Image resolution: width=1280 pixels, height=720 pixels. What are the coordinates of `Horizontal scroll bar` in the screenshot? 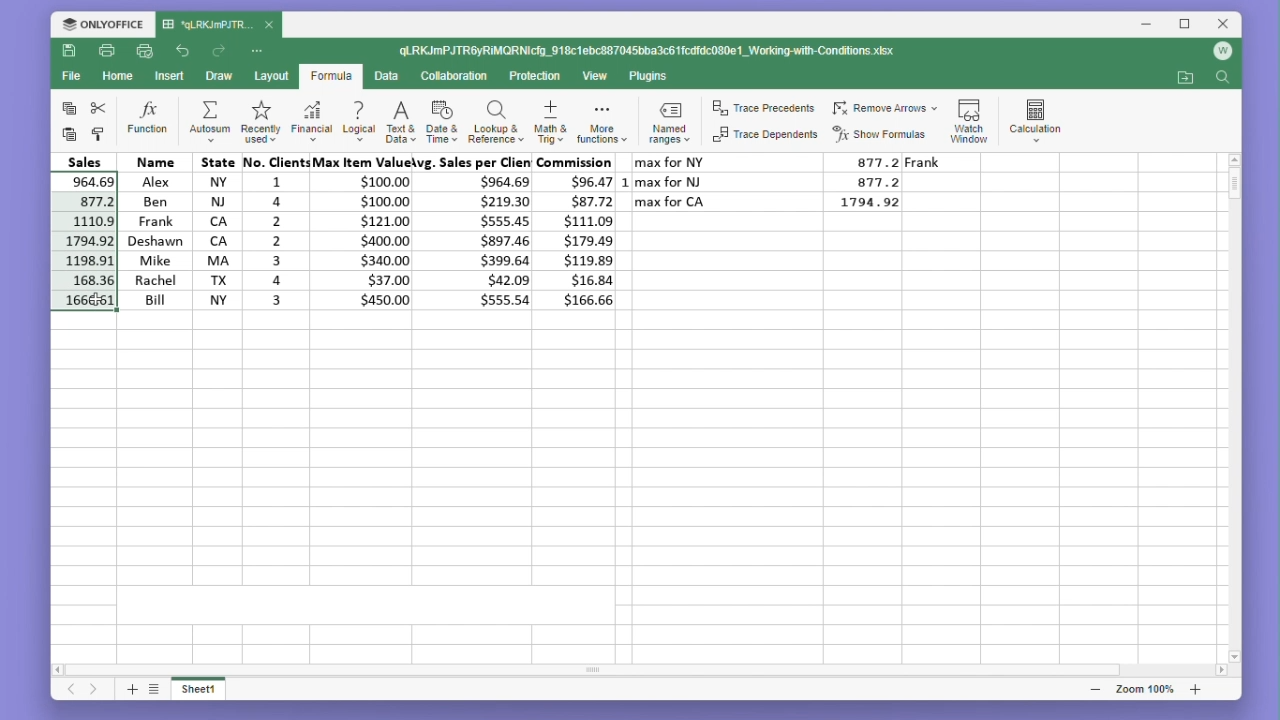 It's located at (629, 670).